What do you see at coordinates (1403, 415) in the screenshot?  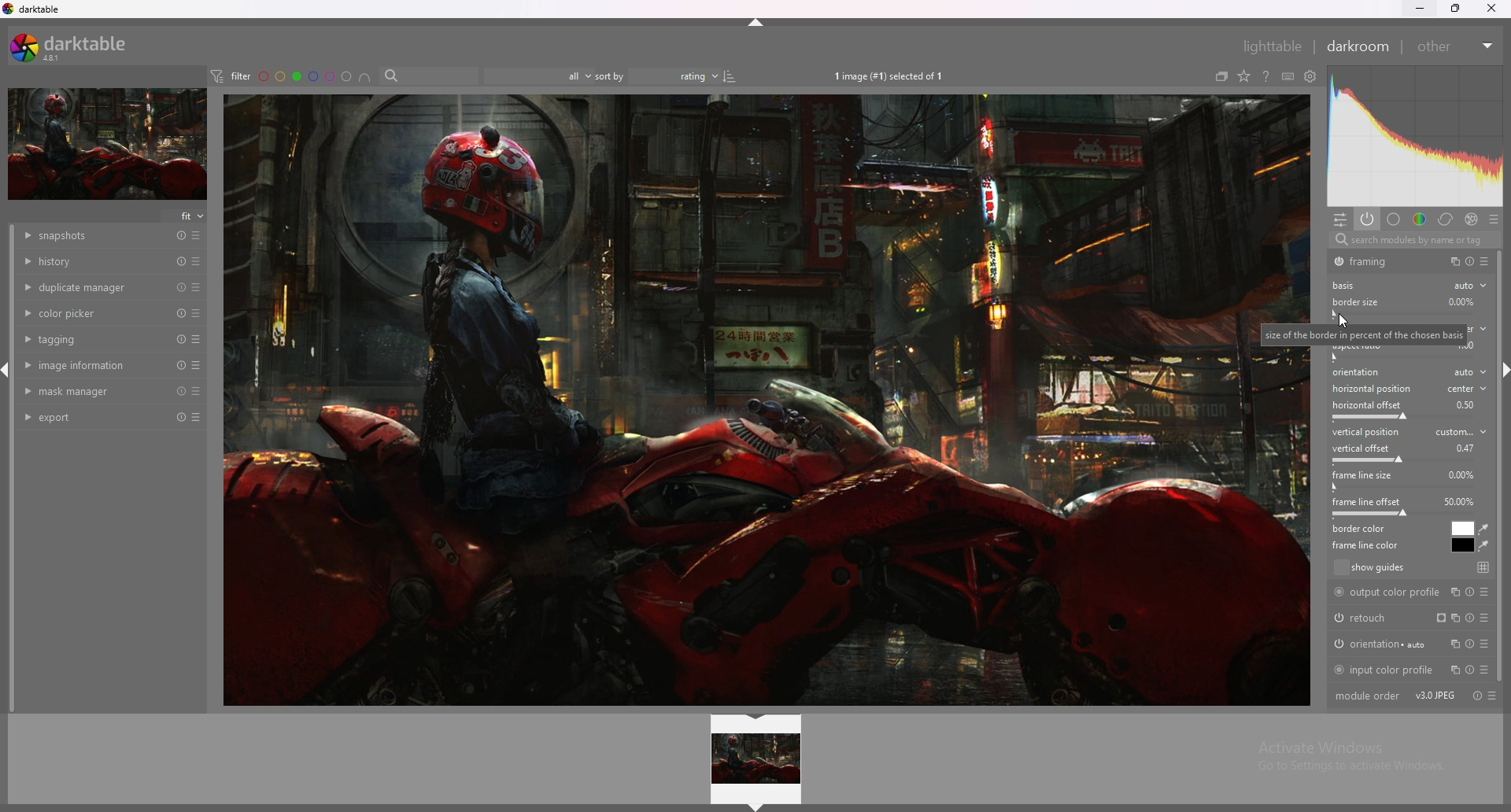 I see `horizontal offset bar` at bounding box center [1403, 415].